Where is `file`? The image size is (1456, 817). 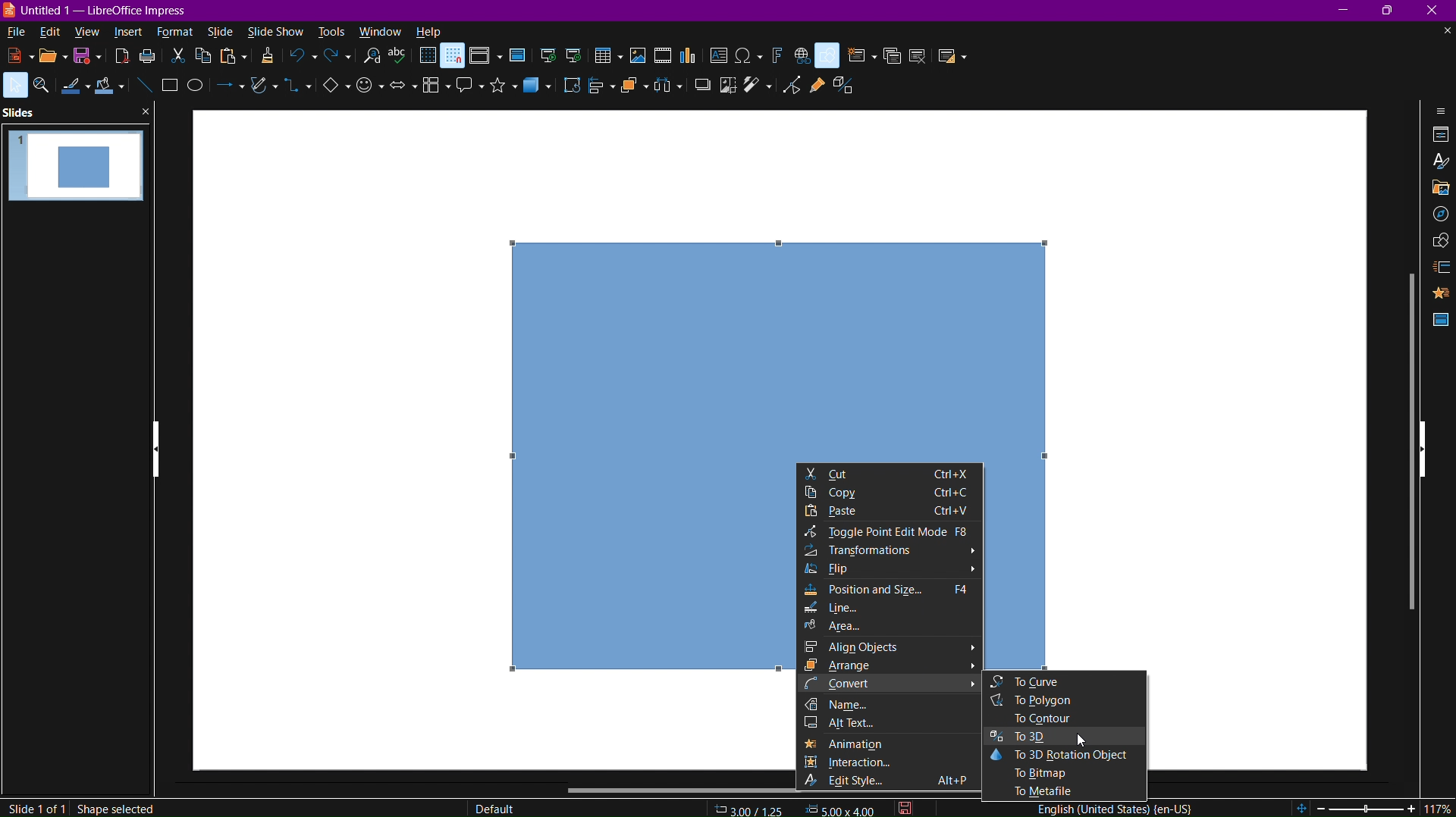 file is located at coordinates (14, 33).